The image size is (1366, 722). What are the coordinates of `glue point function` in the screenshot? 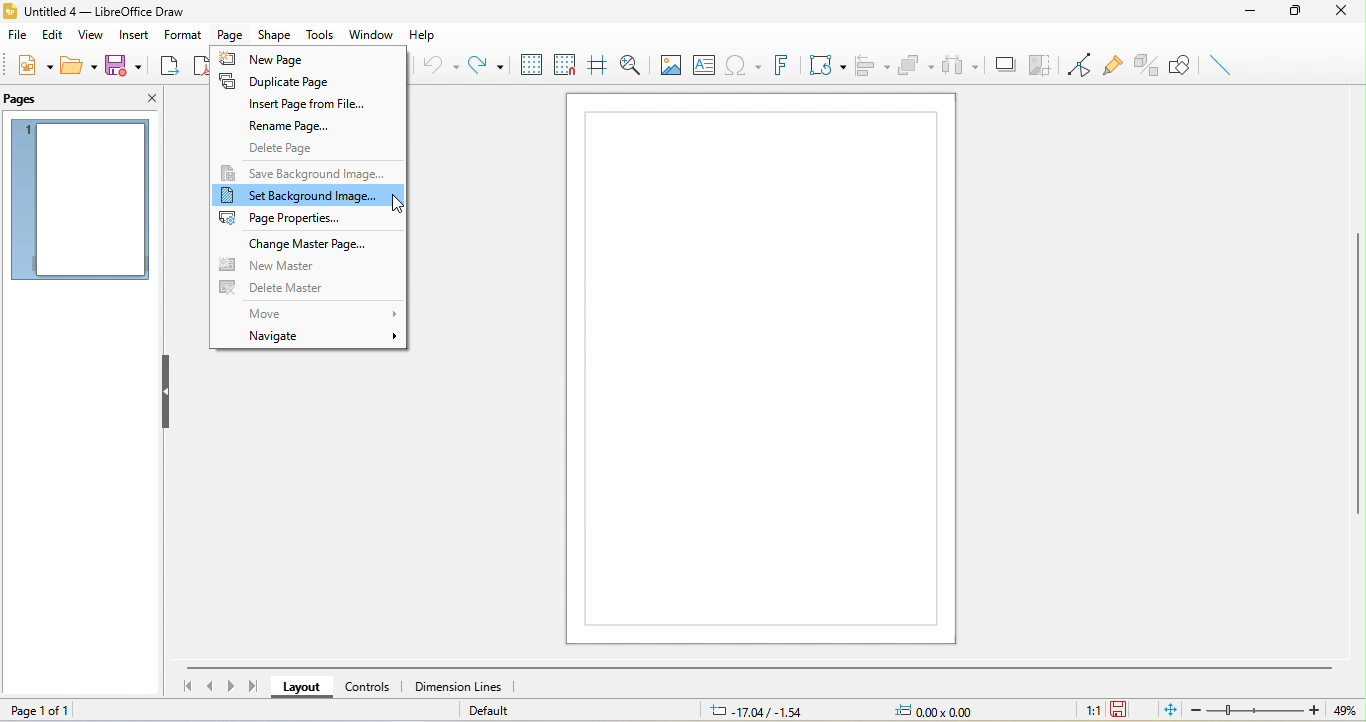 It's located at (1113, 62).